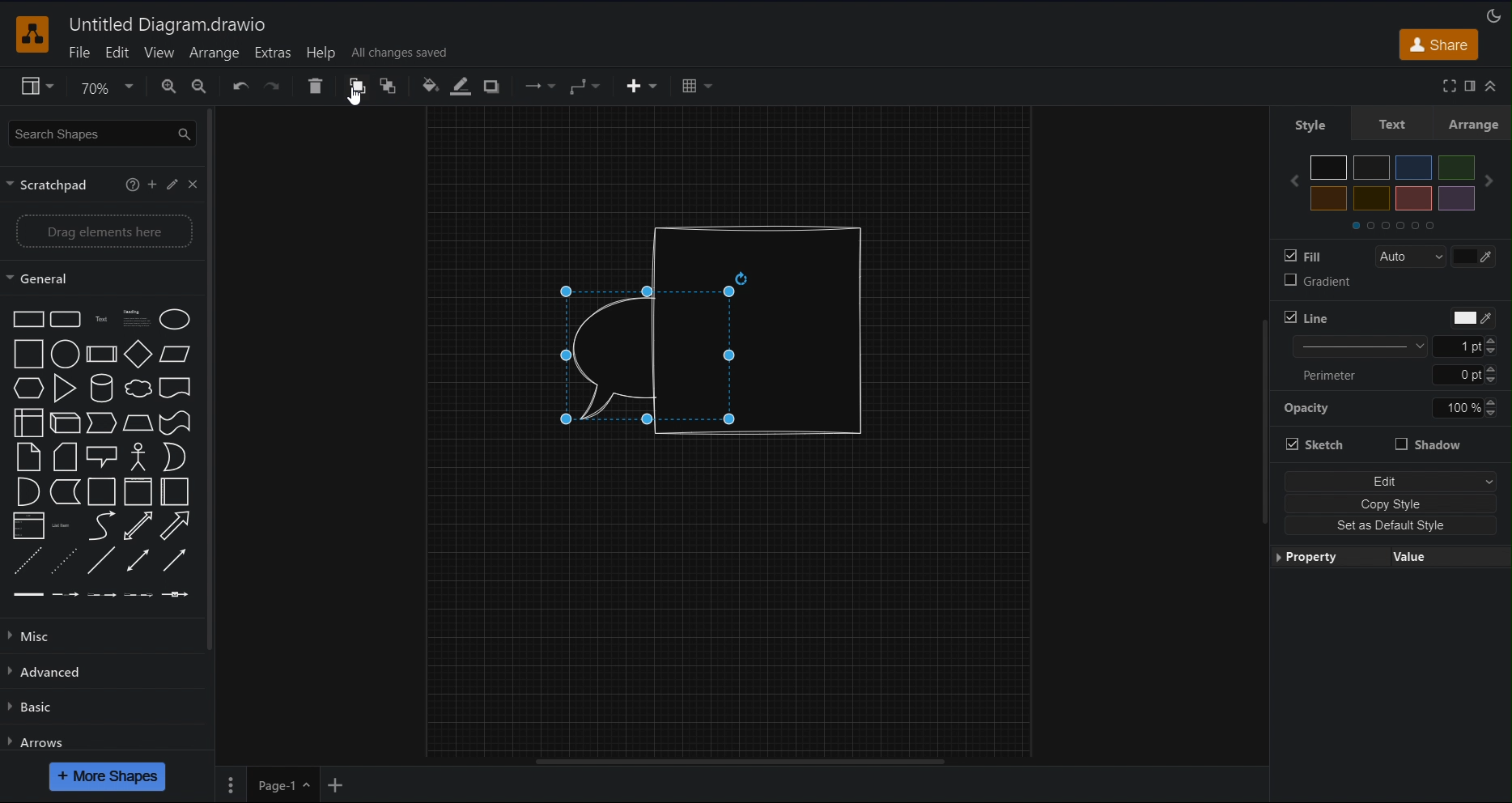 The image size is (1512, 803). What do you see at coordinates (175, 354) in the screenshot?
I see `Parallelogram` at bounding box center [175, 354].